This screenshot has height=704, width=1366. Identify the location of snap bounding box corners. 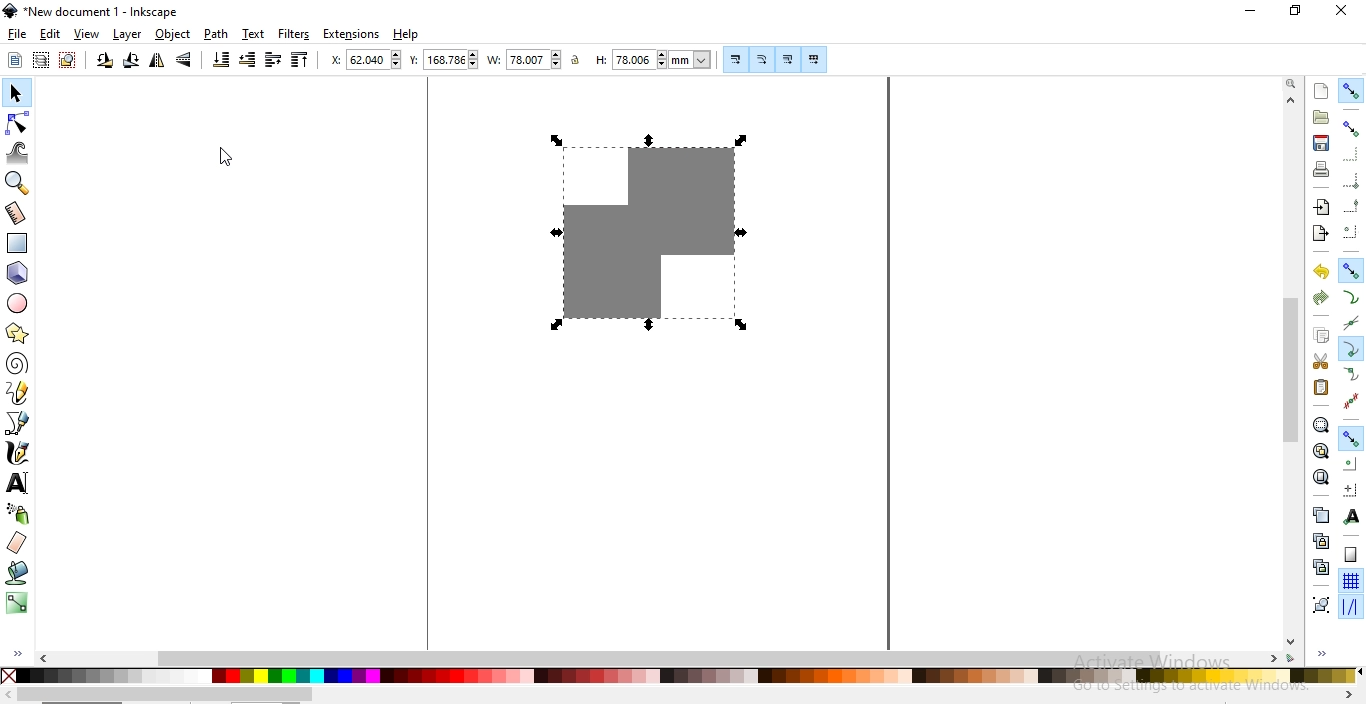
(1352, 178).